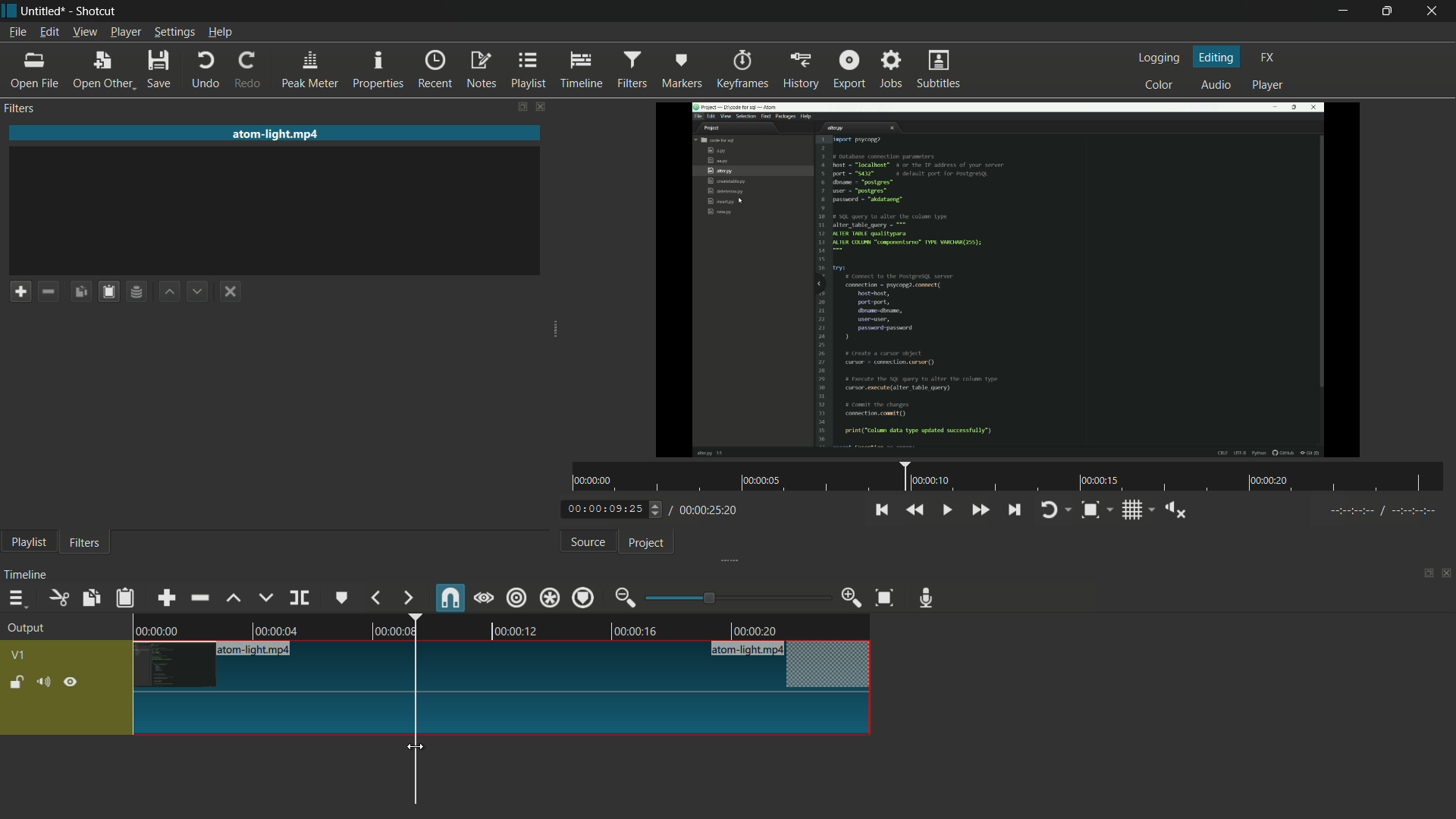 The height and width of the screenshot is (819, 1456). Describe the element at coordinates (17, 33) in the screenshot. I see `file menu` at that location.